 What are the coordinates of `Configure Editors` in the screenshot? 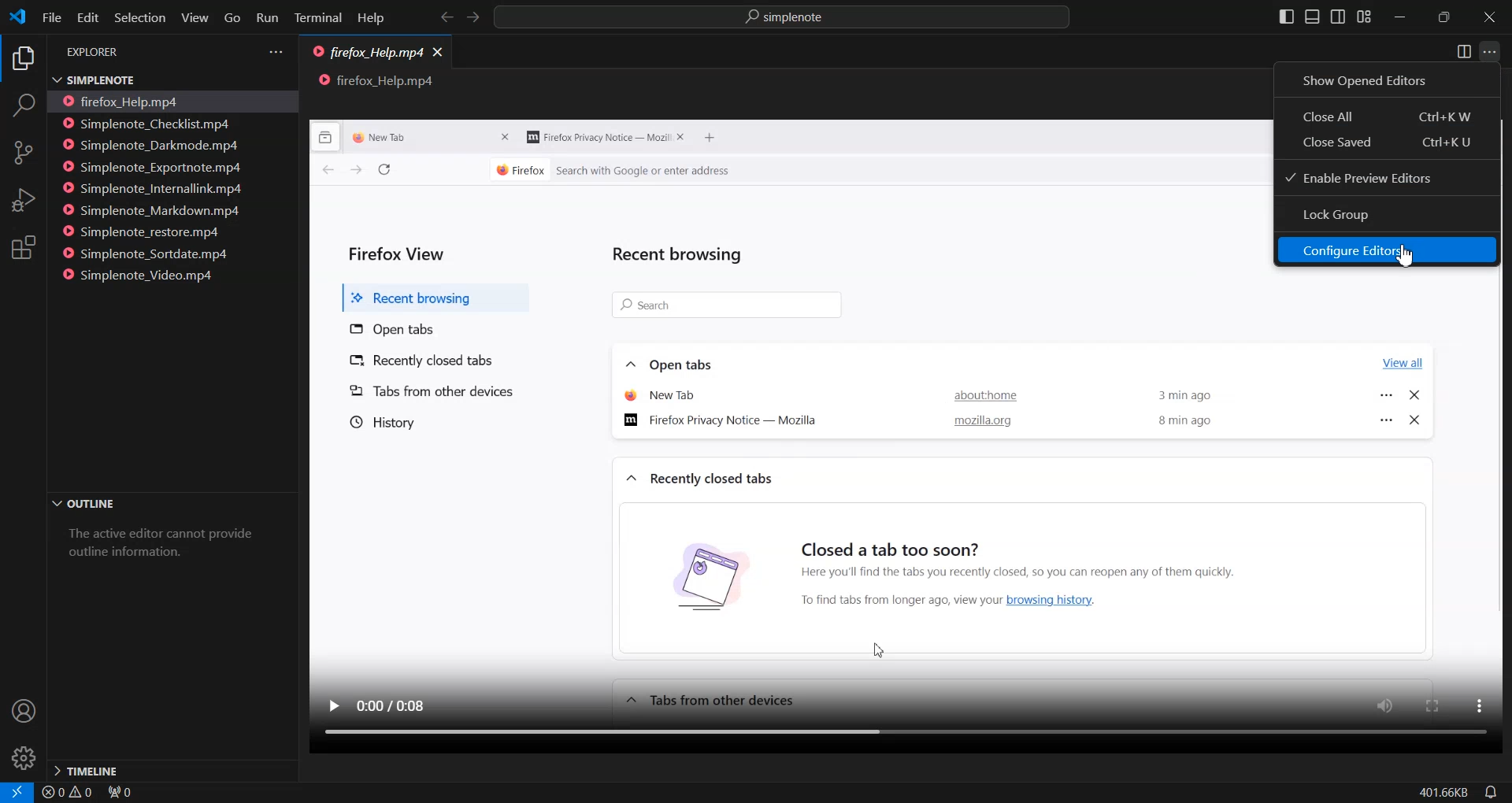 It's located at (1388, 250).